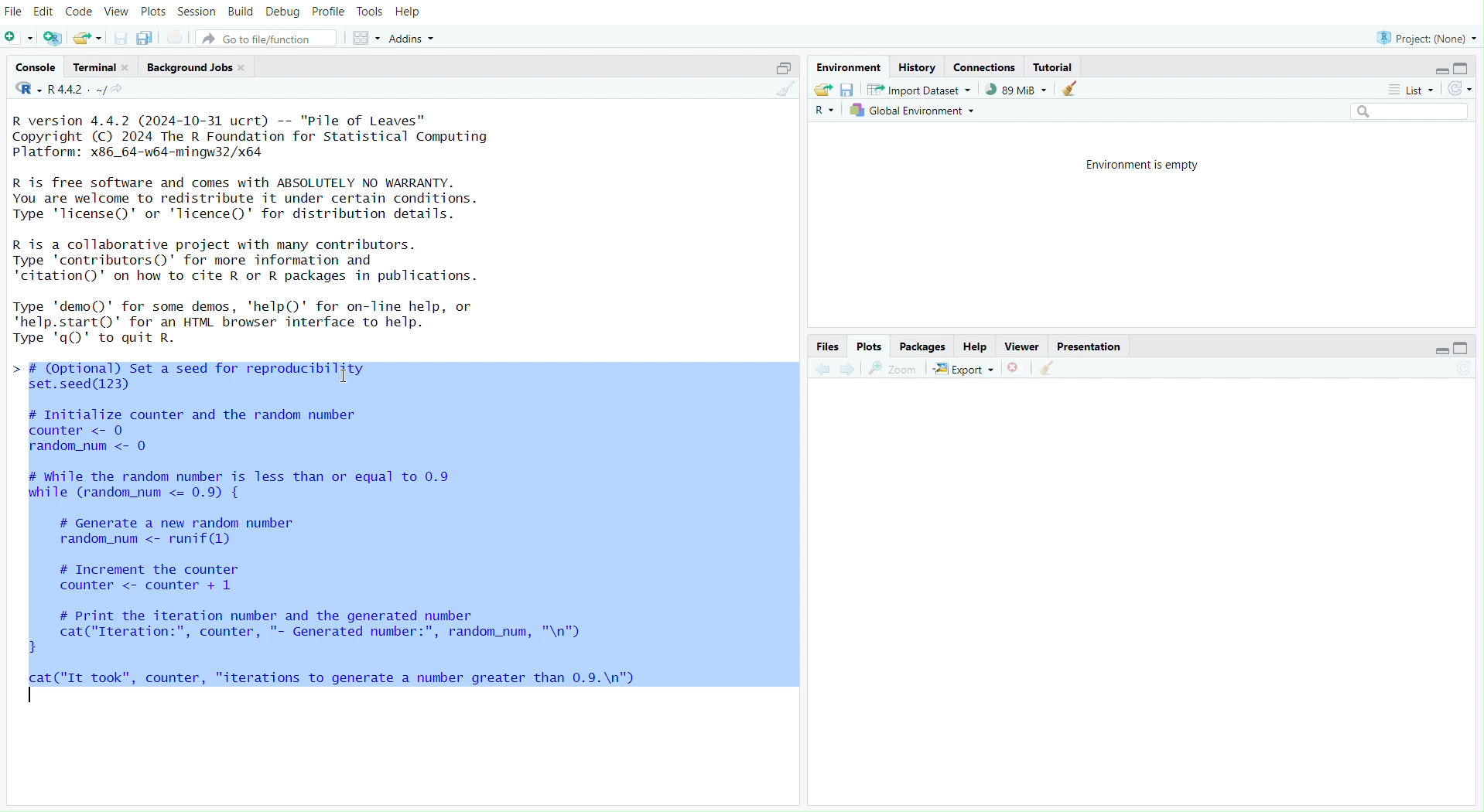 This screenshot has height=812, width=1484. What do you see at coordinates (146, 37) in the screenshot?
I see `Save all open documents (Ctrl + Alt + S)` at bounding box center [146, 37].